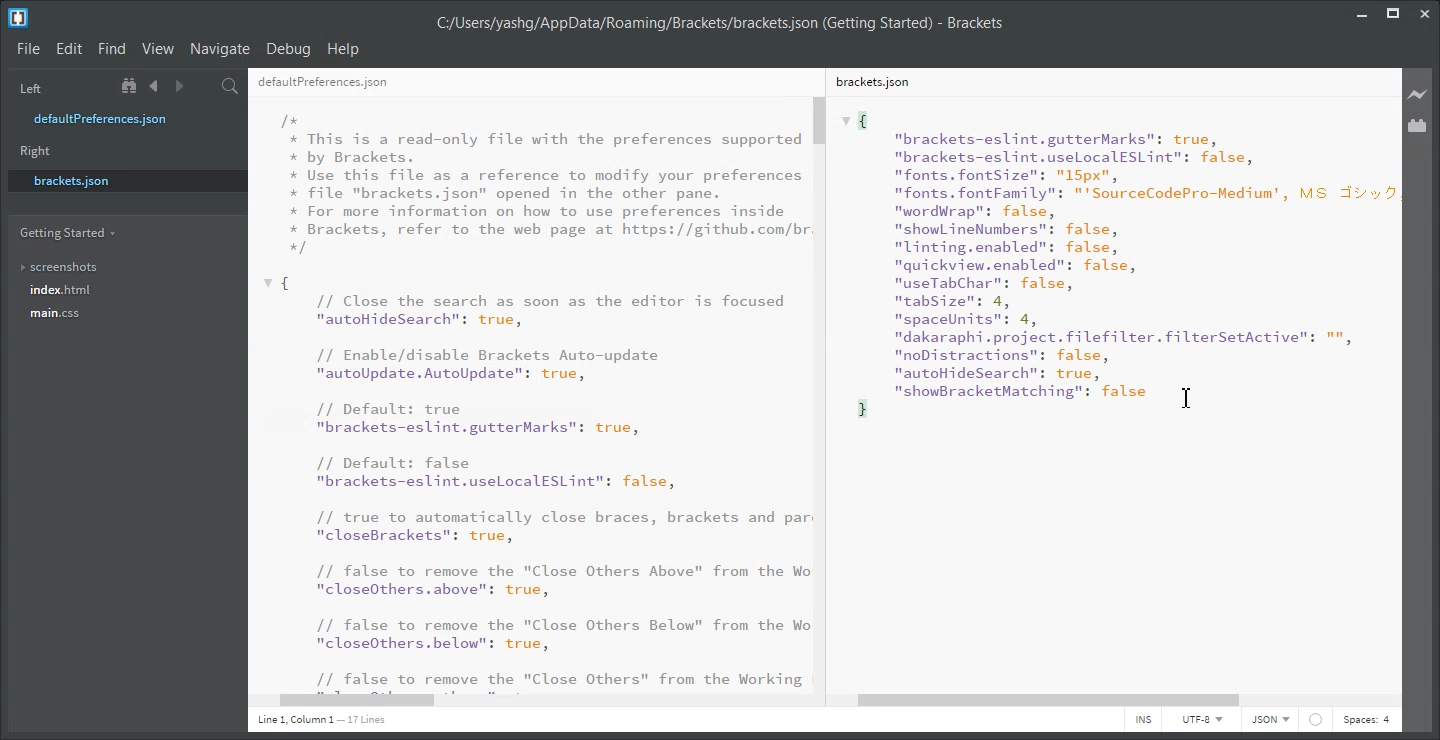  I want to click on brackets.json, so click(125, 180).